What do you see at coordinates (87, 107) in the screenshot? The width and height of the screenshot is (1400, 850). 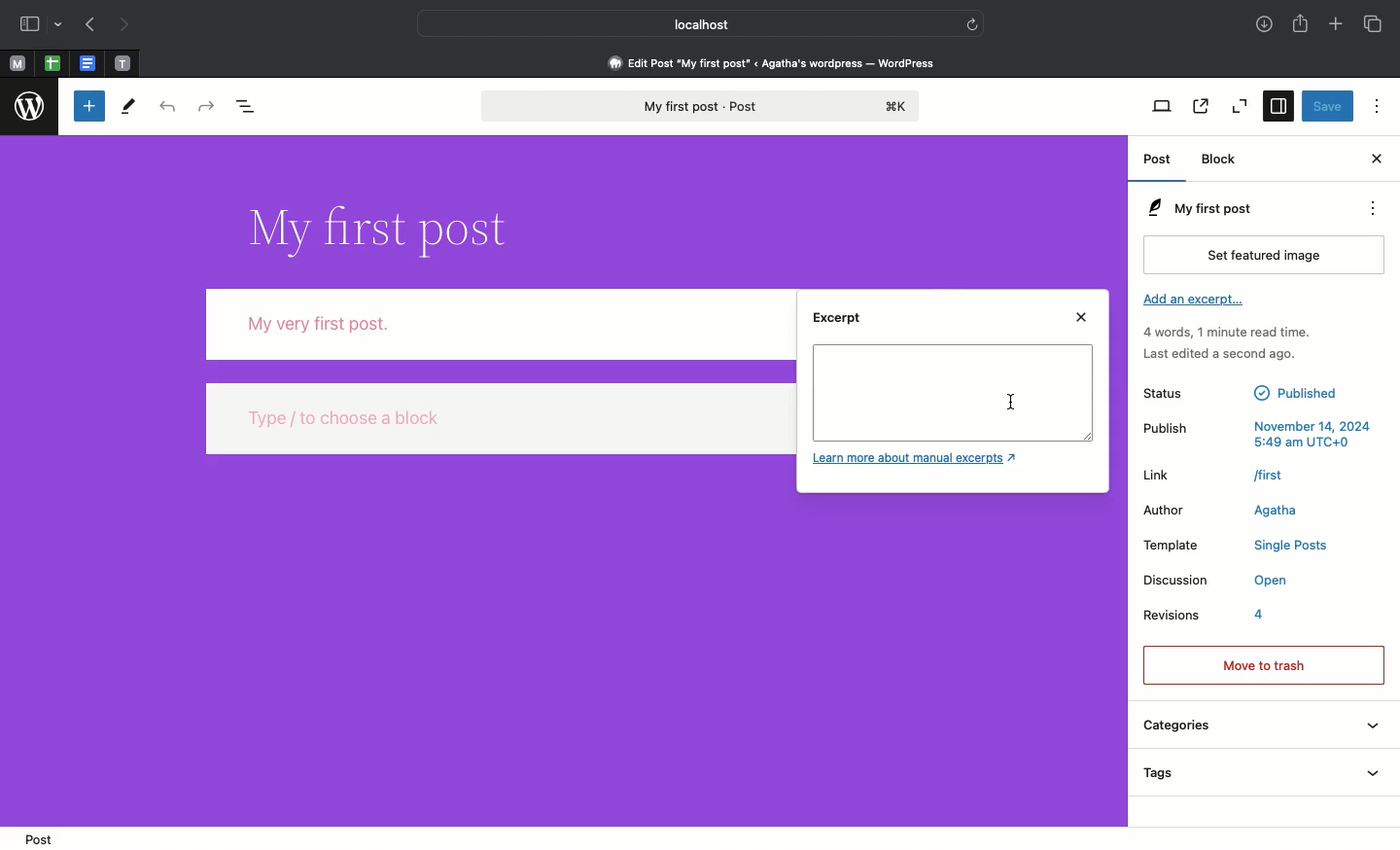 I see `Toggle block` at bounding box center [87, 107].